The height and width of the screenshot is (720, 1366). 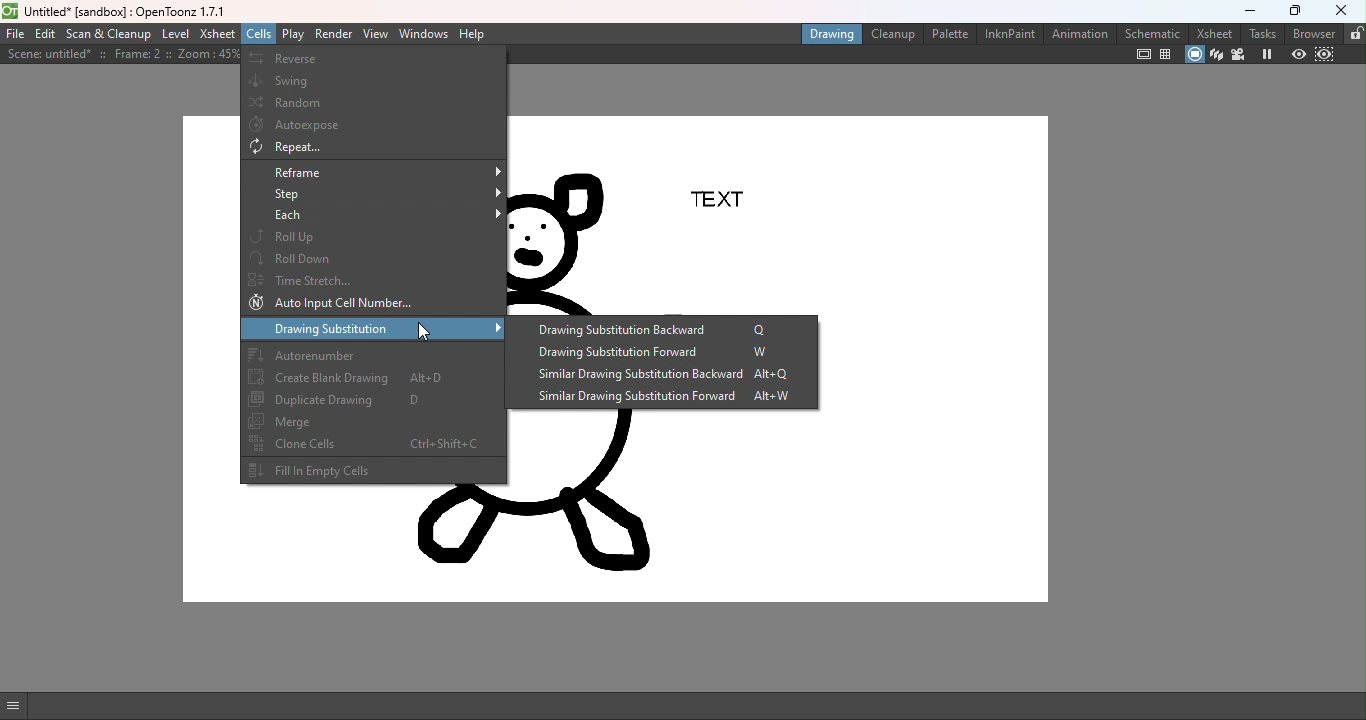 I want to click on Edit, so click(x=45, y=35).